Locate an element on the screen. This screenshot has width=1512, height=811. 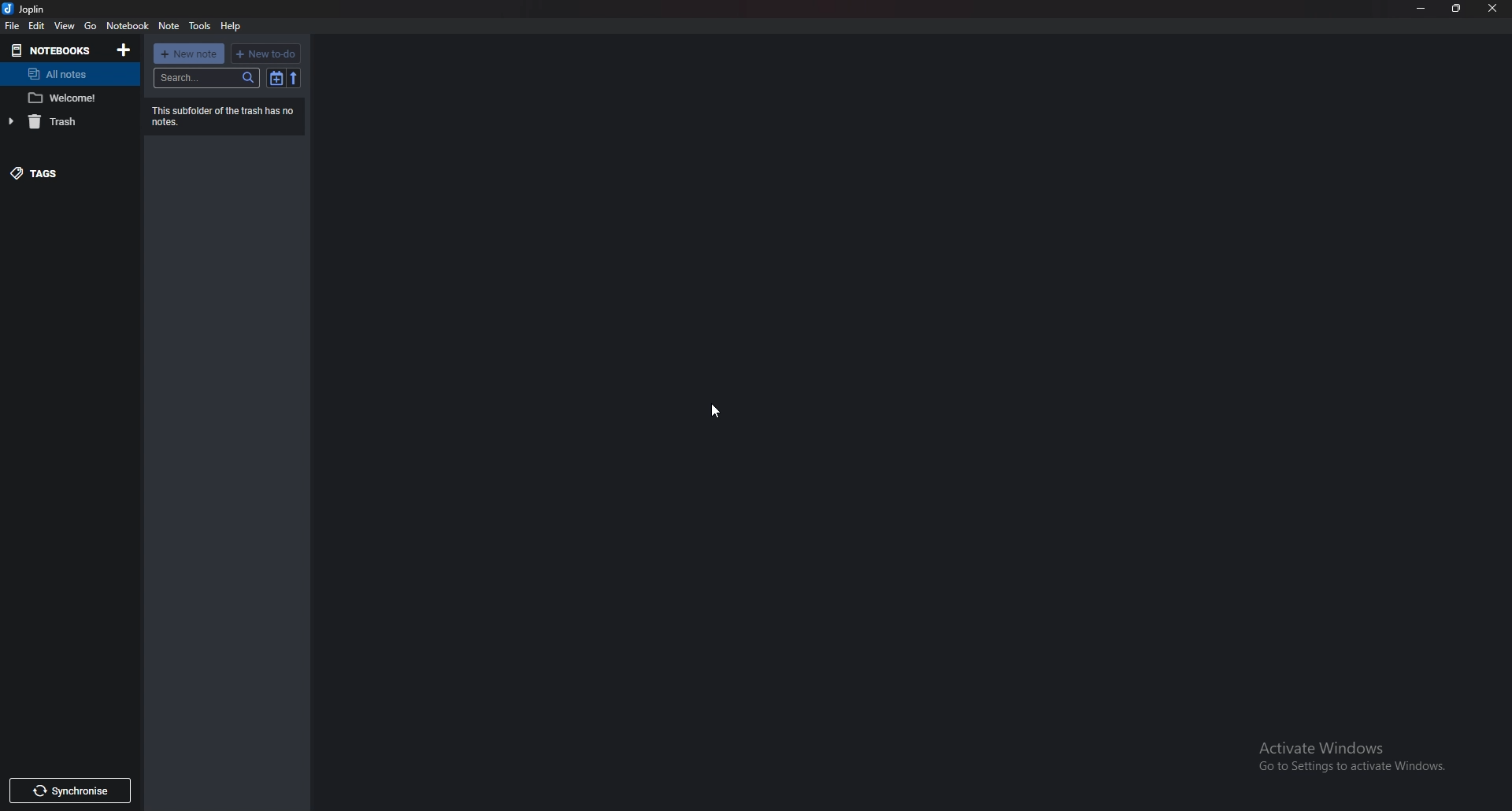
new todo is located at coordinates (265, 53).